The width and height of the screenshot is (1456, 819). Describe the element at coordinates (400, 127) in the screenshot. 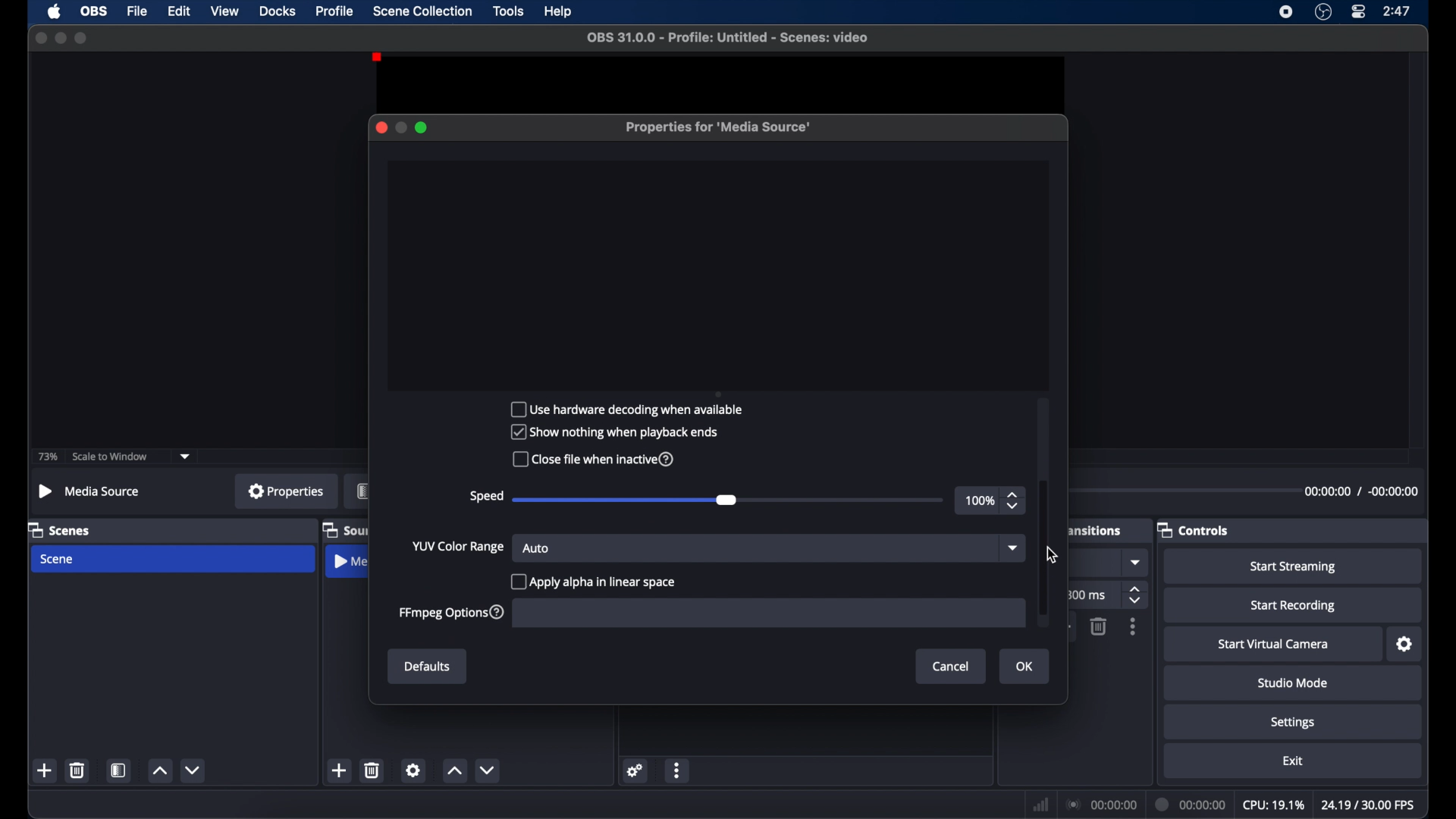

I see `minimize` at that location.